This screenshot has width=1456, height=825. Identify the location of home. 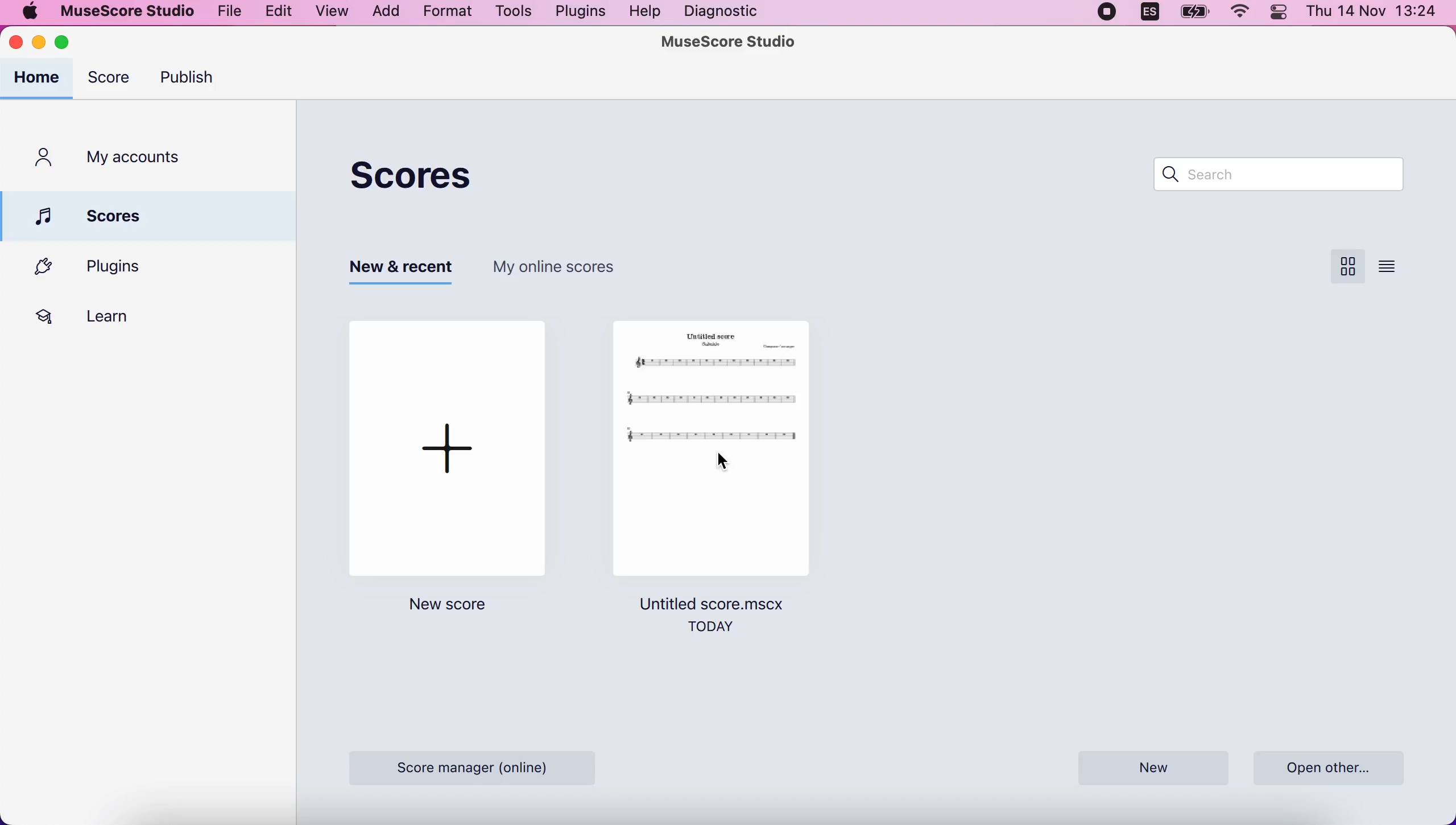
(38, 79).